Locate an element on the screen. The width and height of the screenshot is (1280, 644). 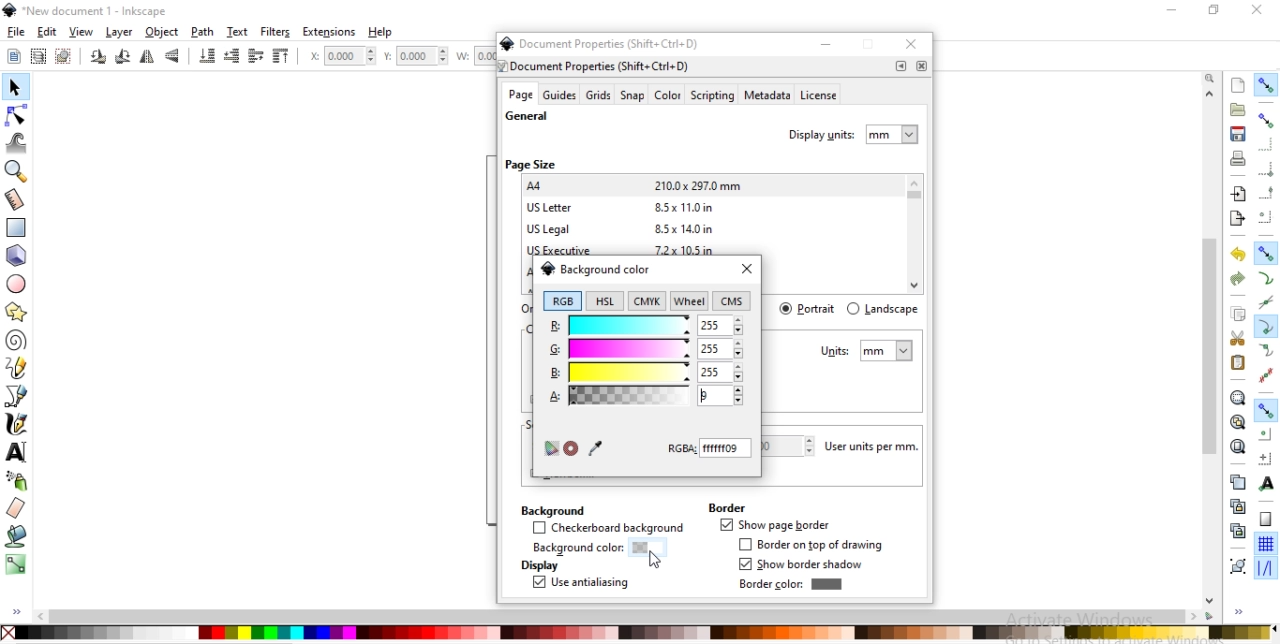
file is located at coordinates (16, 32).